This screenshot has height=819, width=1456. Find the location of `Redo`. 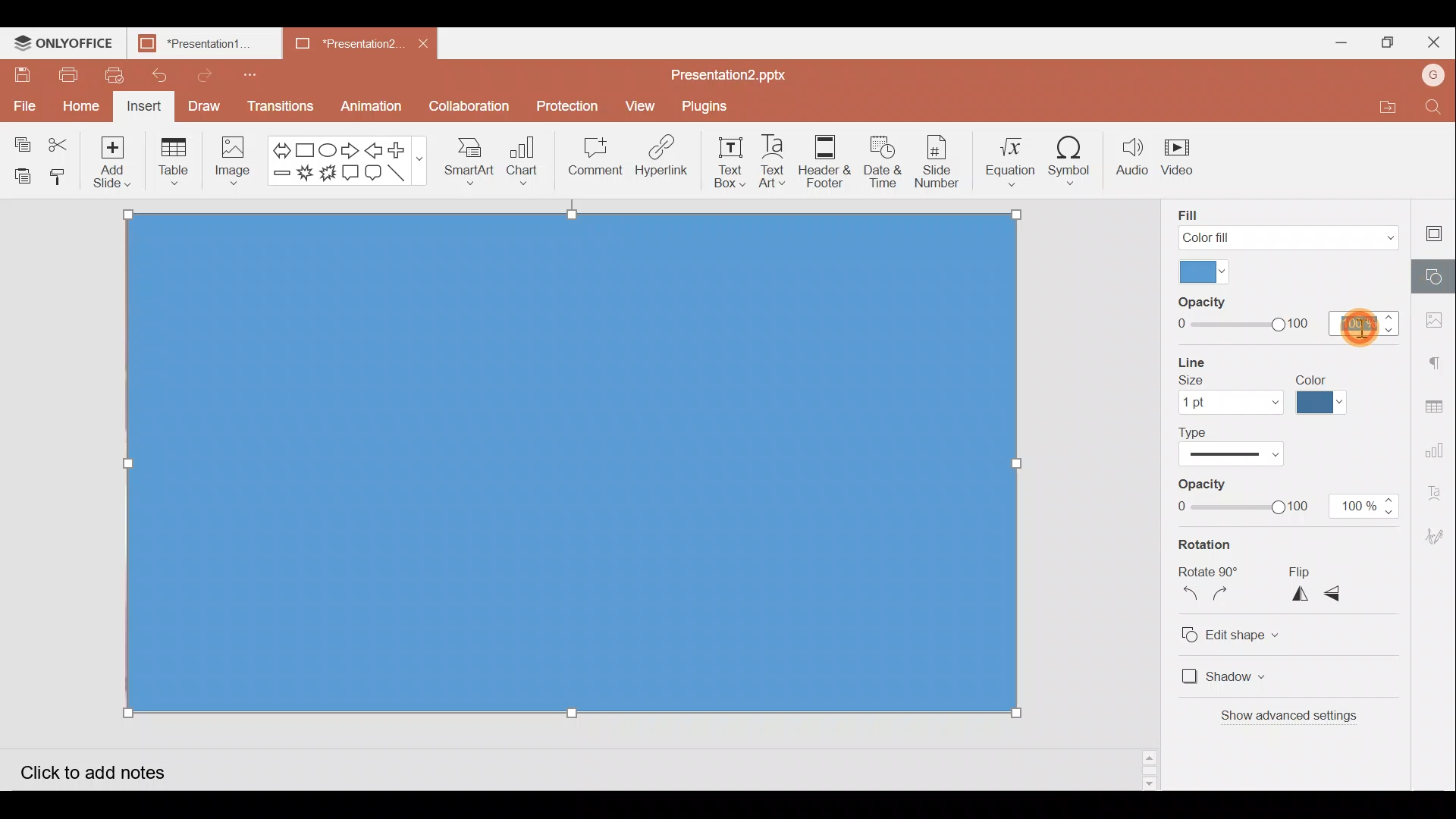

Redo is located at coordinates (208, 75).